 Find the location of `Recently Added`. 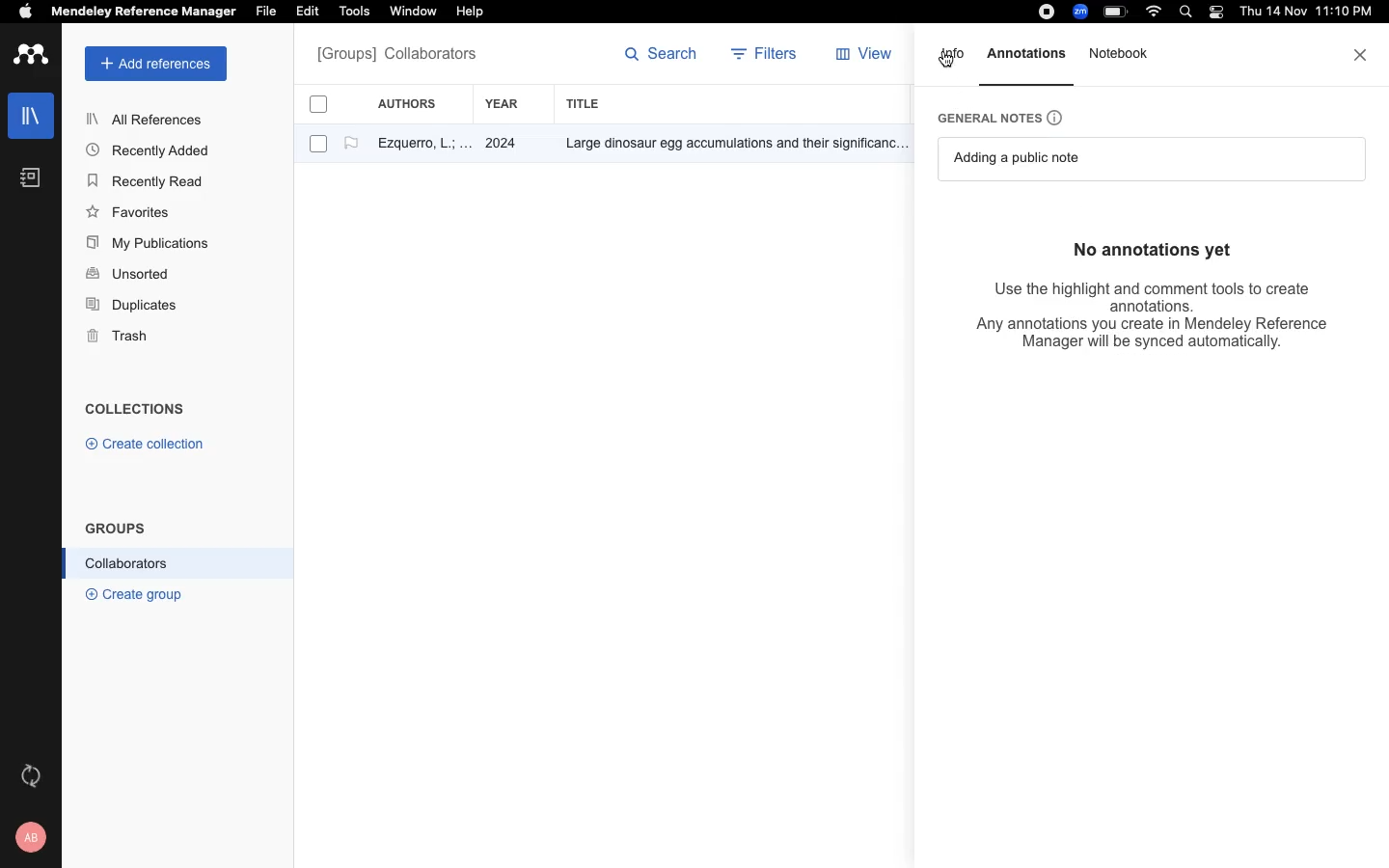

Recently Added is located at coordinates (153, 149).